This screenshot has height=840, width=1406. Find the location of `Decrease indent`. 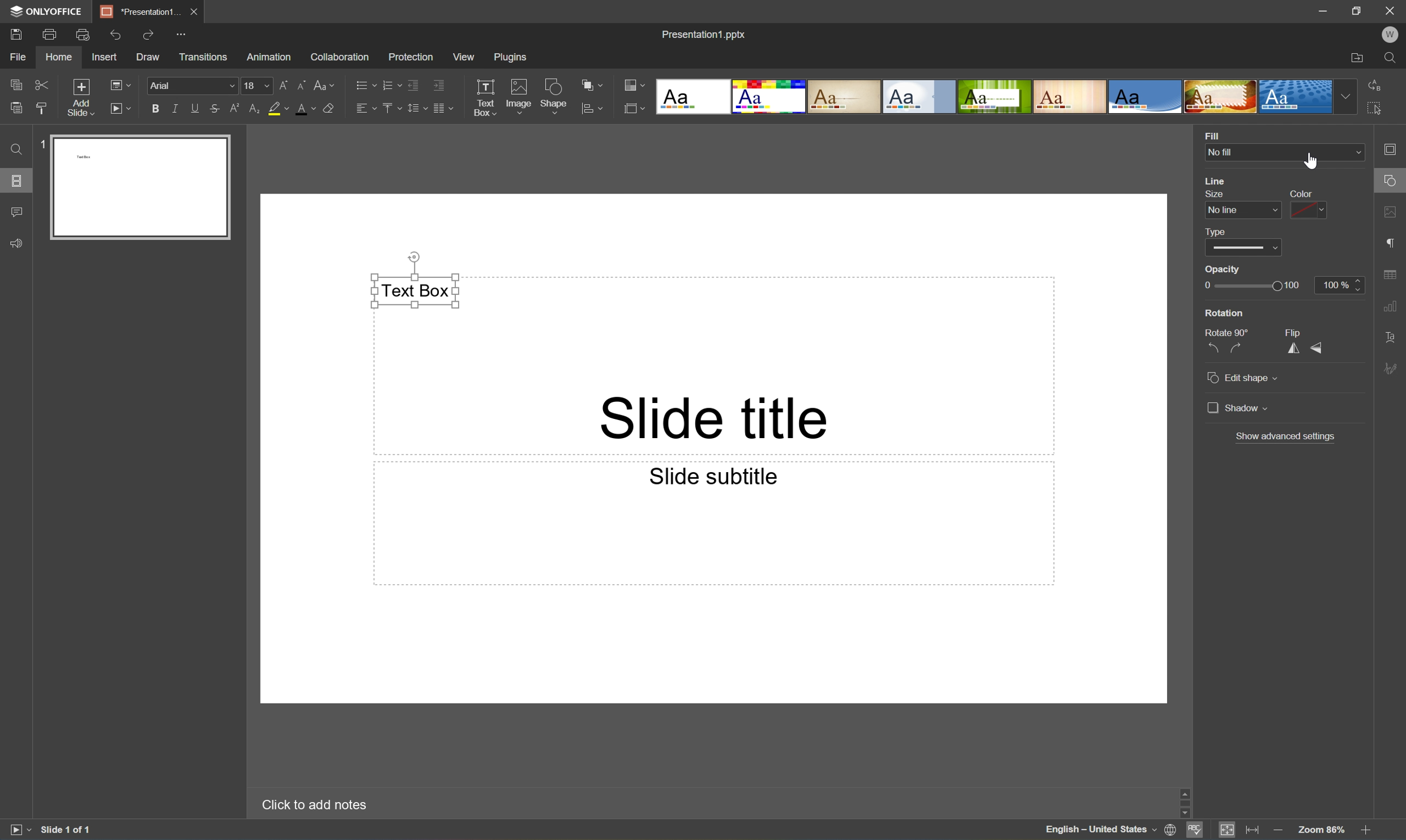

Decrease indent is located at coordinates (411, 84).